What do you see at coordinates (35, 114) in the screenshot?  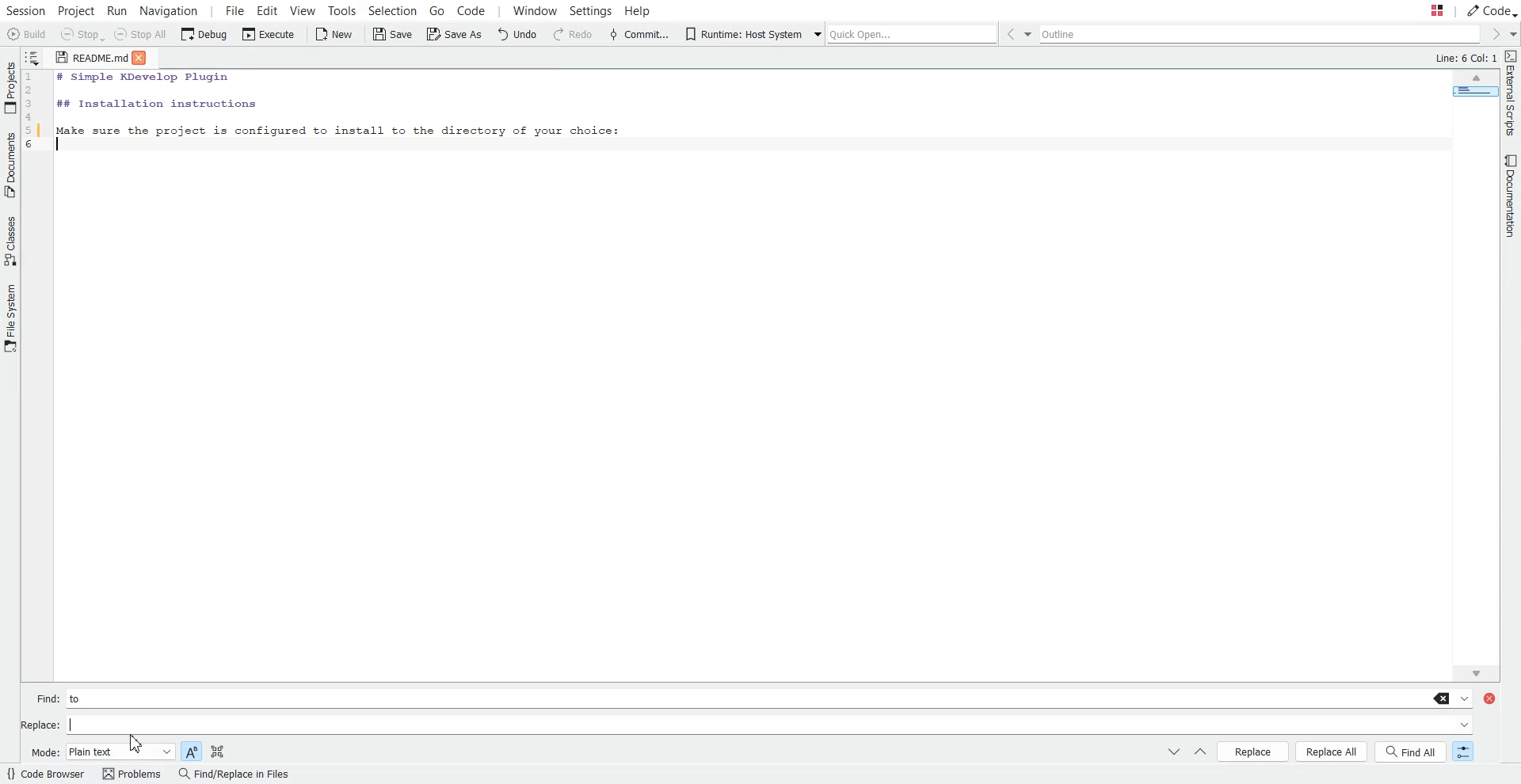 I see `Code line` at bounding box center [35, 114].